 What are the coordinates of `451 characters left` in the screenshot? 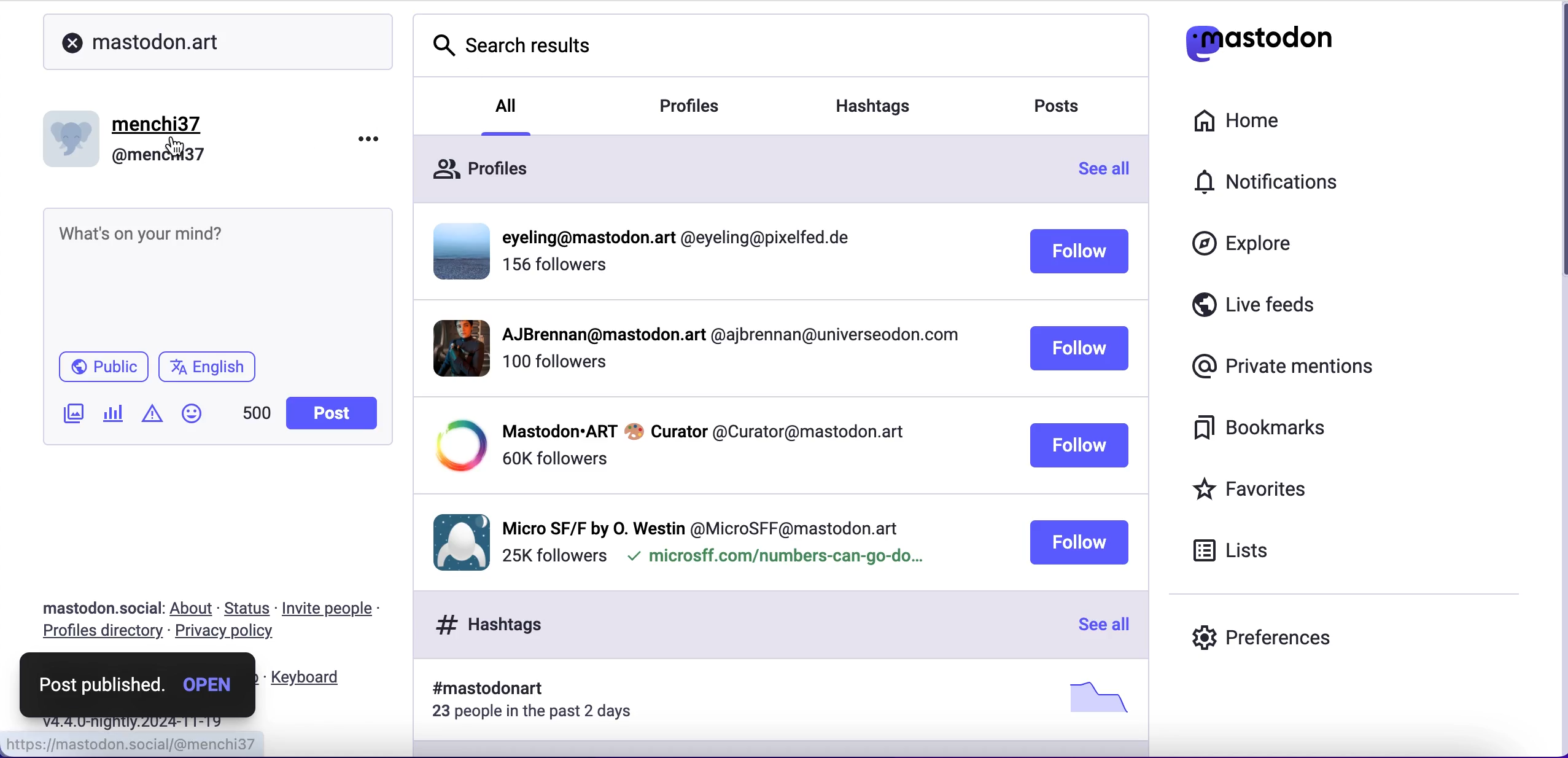 It's located at (257, 417).